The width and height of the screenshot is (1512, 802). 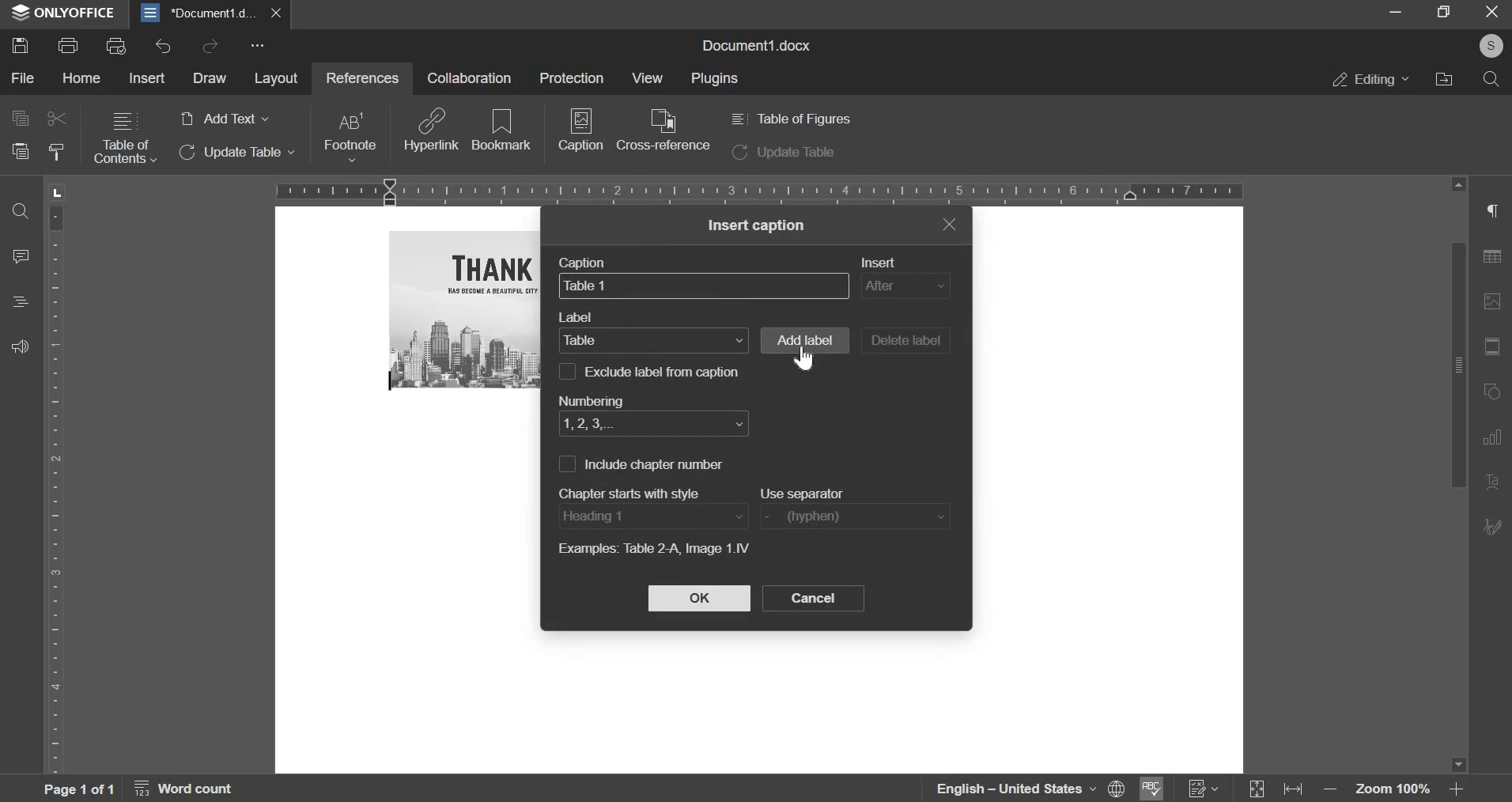 I want to click on fullscreen, so click(x=1443, y=12).